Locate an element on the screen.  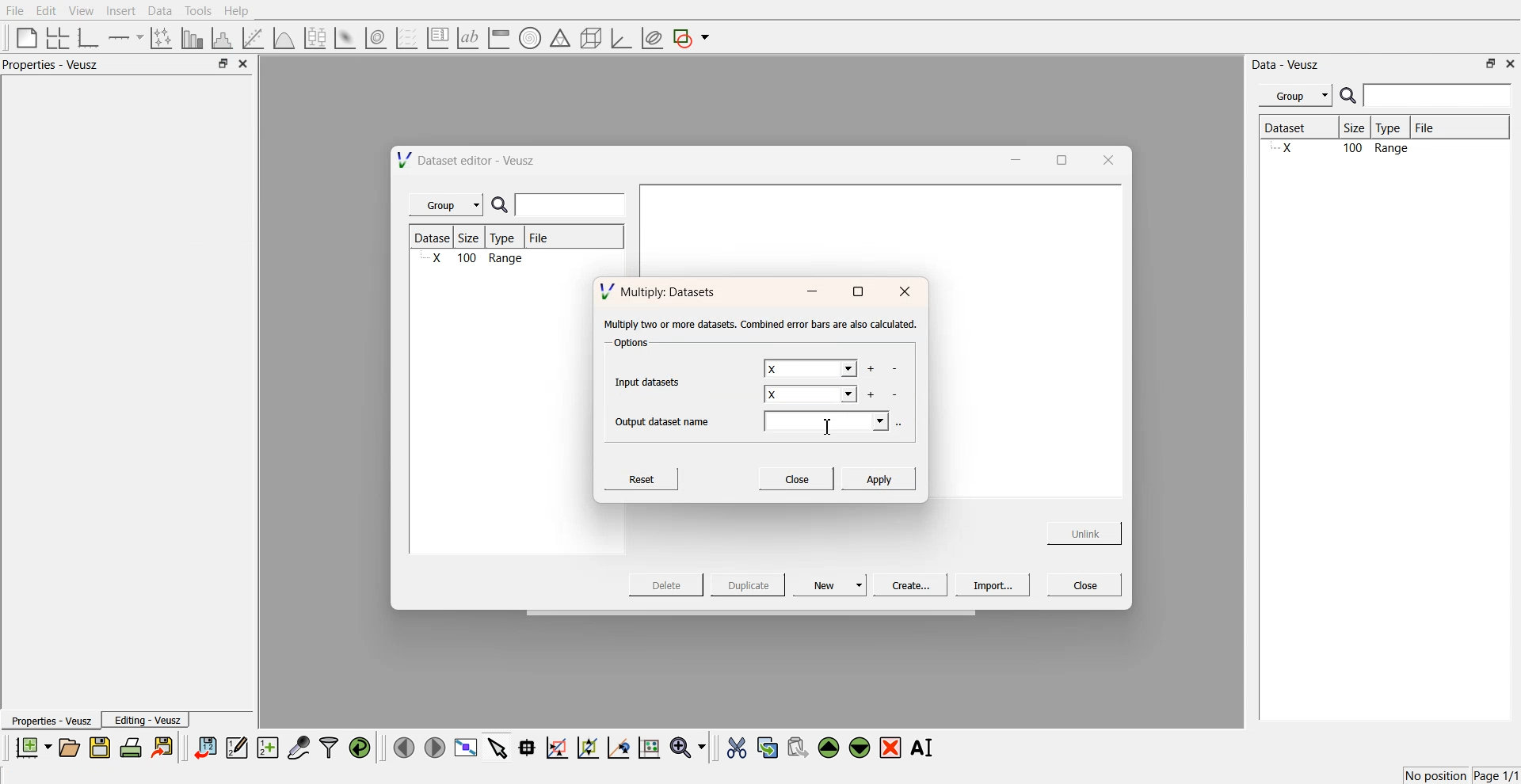
close is located at coordinates (1511, 63).